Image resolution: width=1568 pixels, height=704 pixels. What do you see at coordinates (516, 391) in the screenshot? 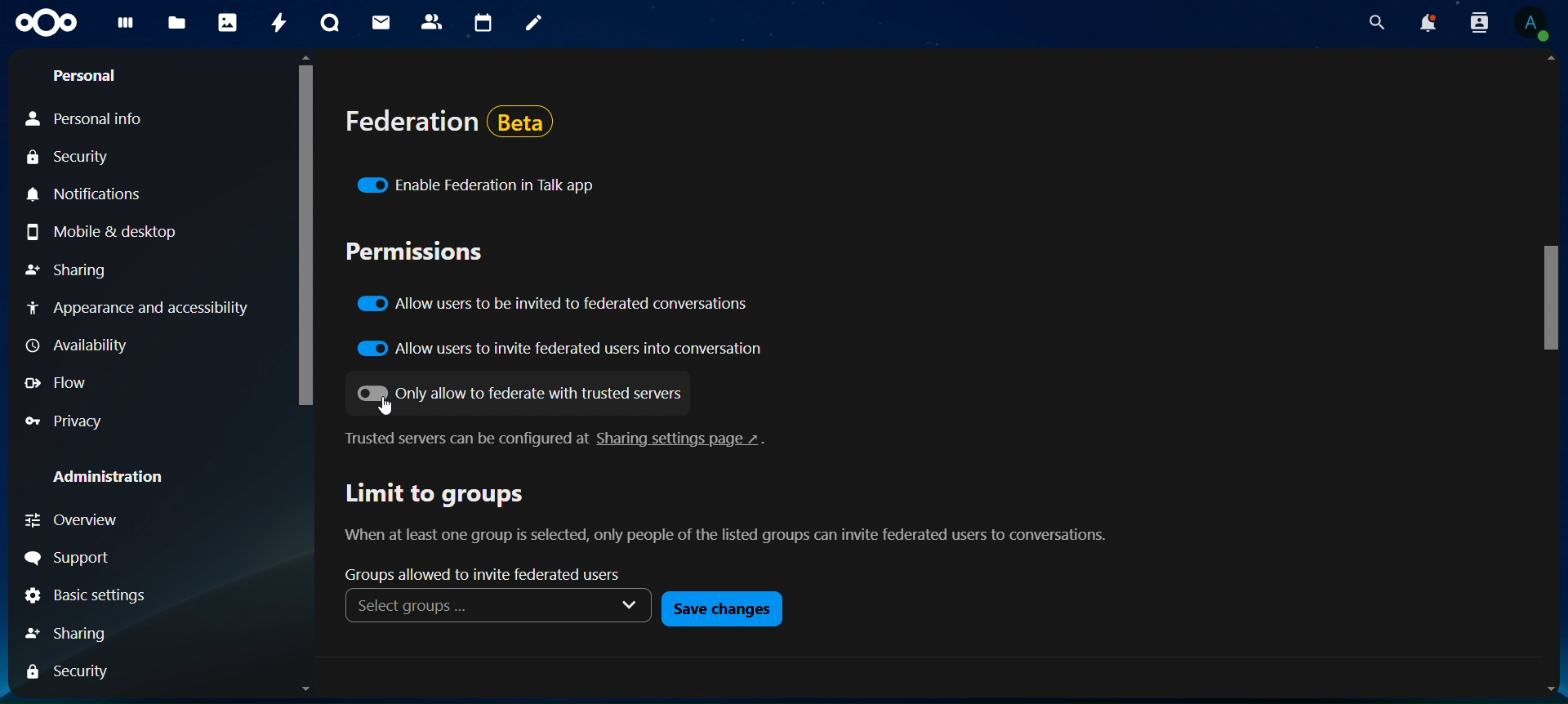
I see `only allow to federate with trusted servers` at bounding box center [516, 391].